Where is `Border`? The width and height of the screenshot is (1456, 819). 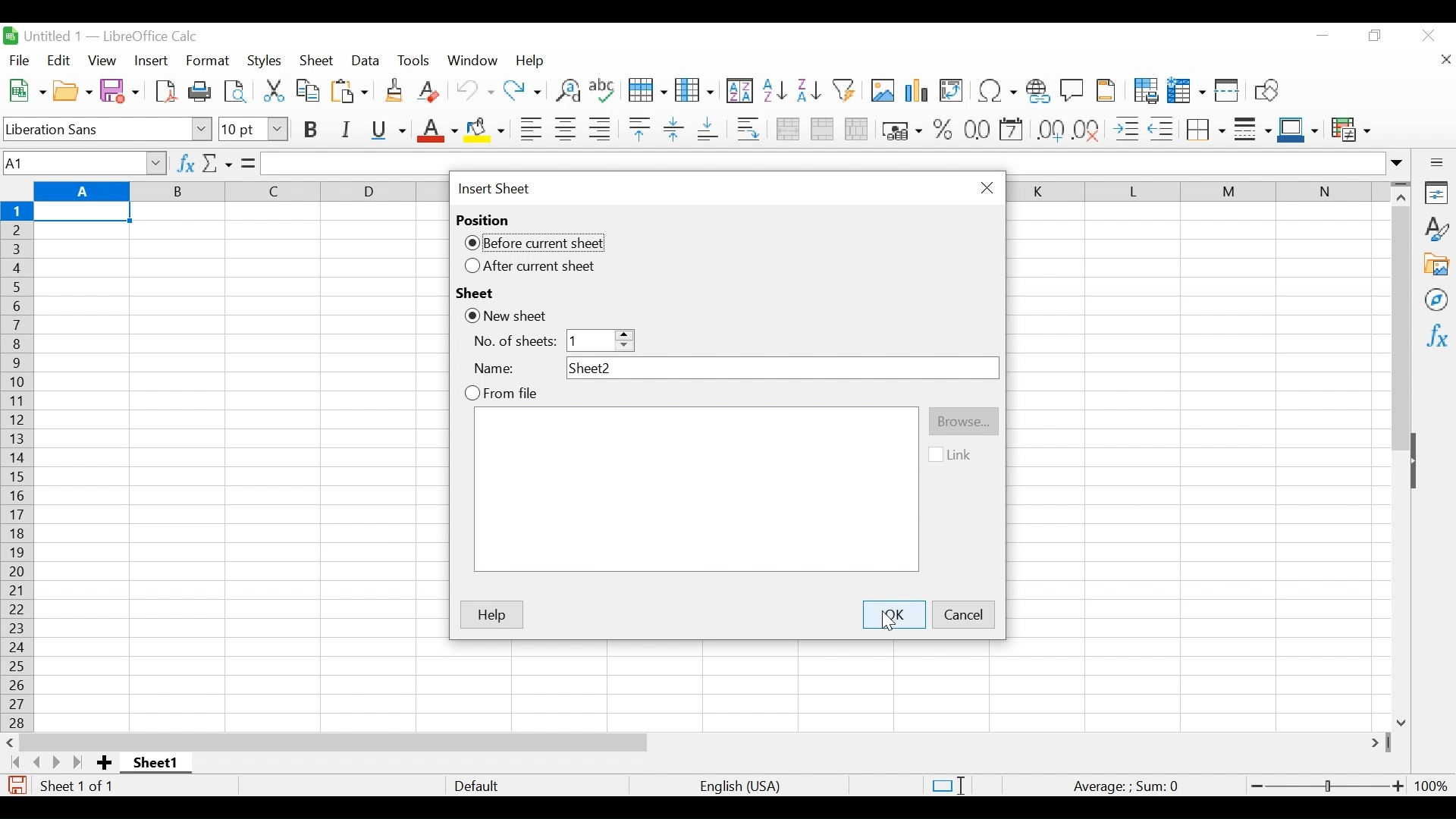
Border is located at coordinates (1205, 129).